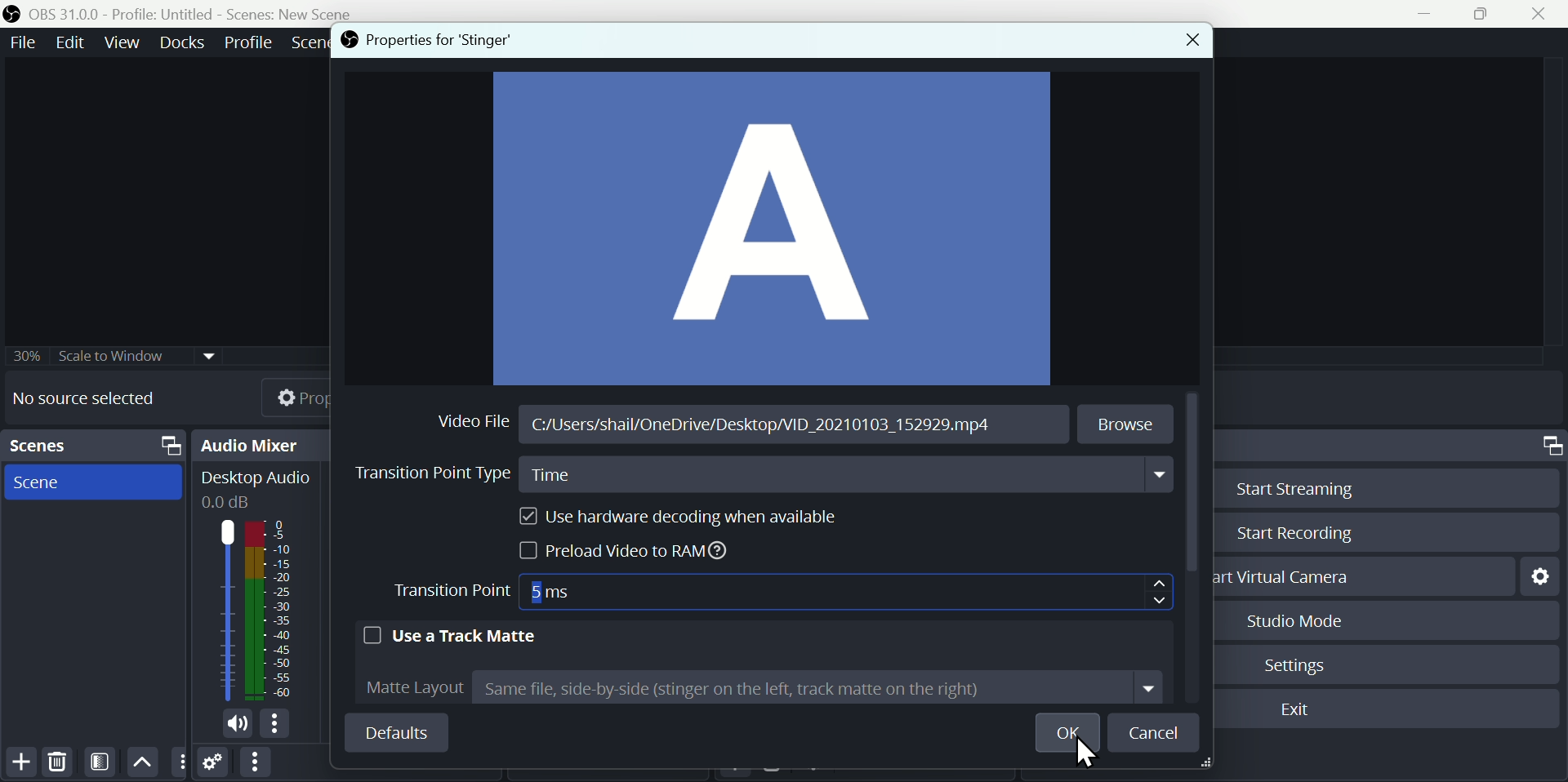  Describe the element at coordinates (125, 42) in the screenshot. I see `` at that location.